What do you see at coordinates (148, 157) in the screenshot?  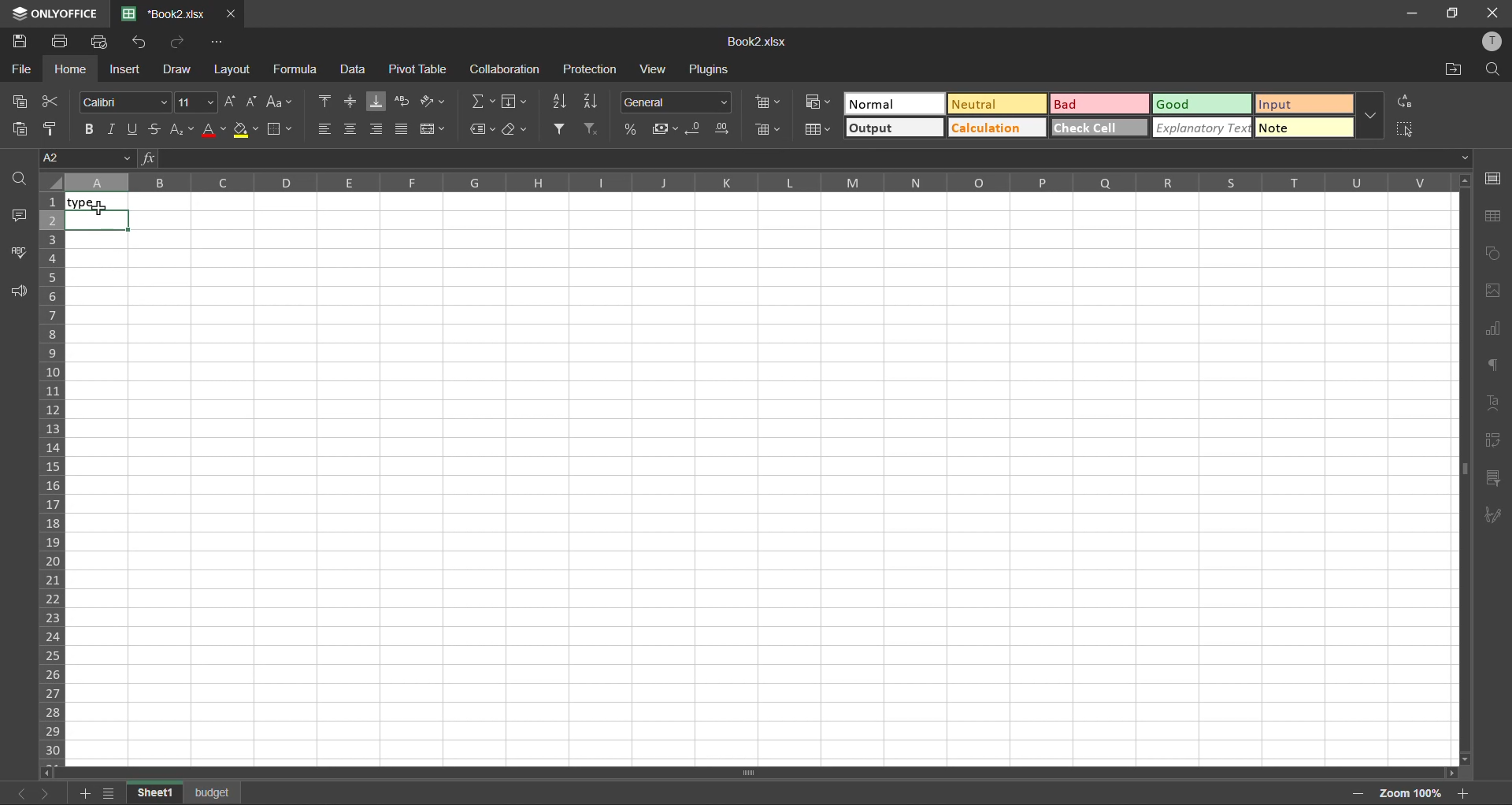 I see `fx` at bounding box center [148, 157].